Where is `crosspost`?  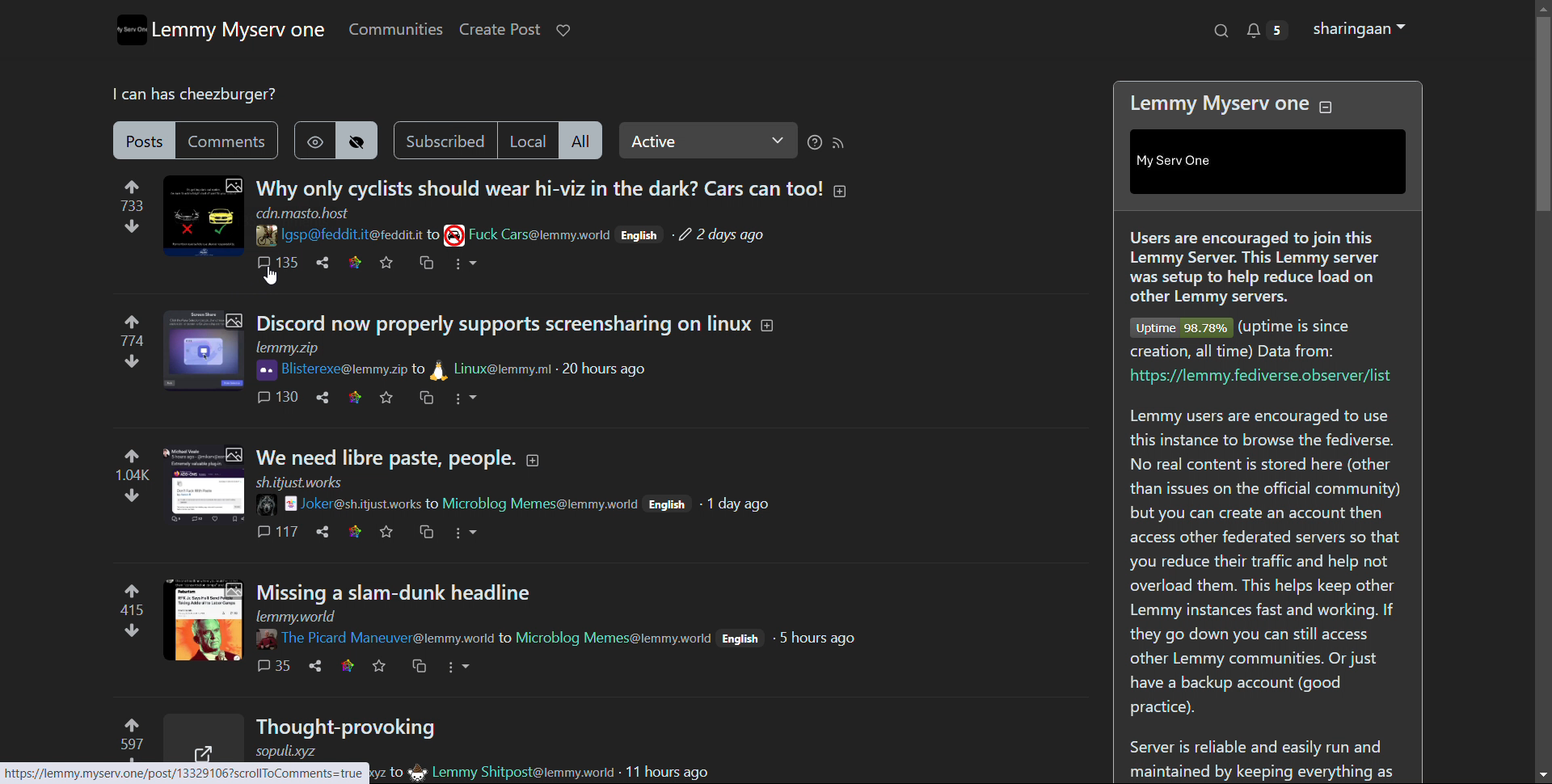
crosspost is located at coordinates (426, 262).